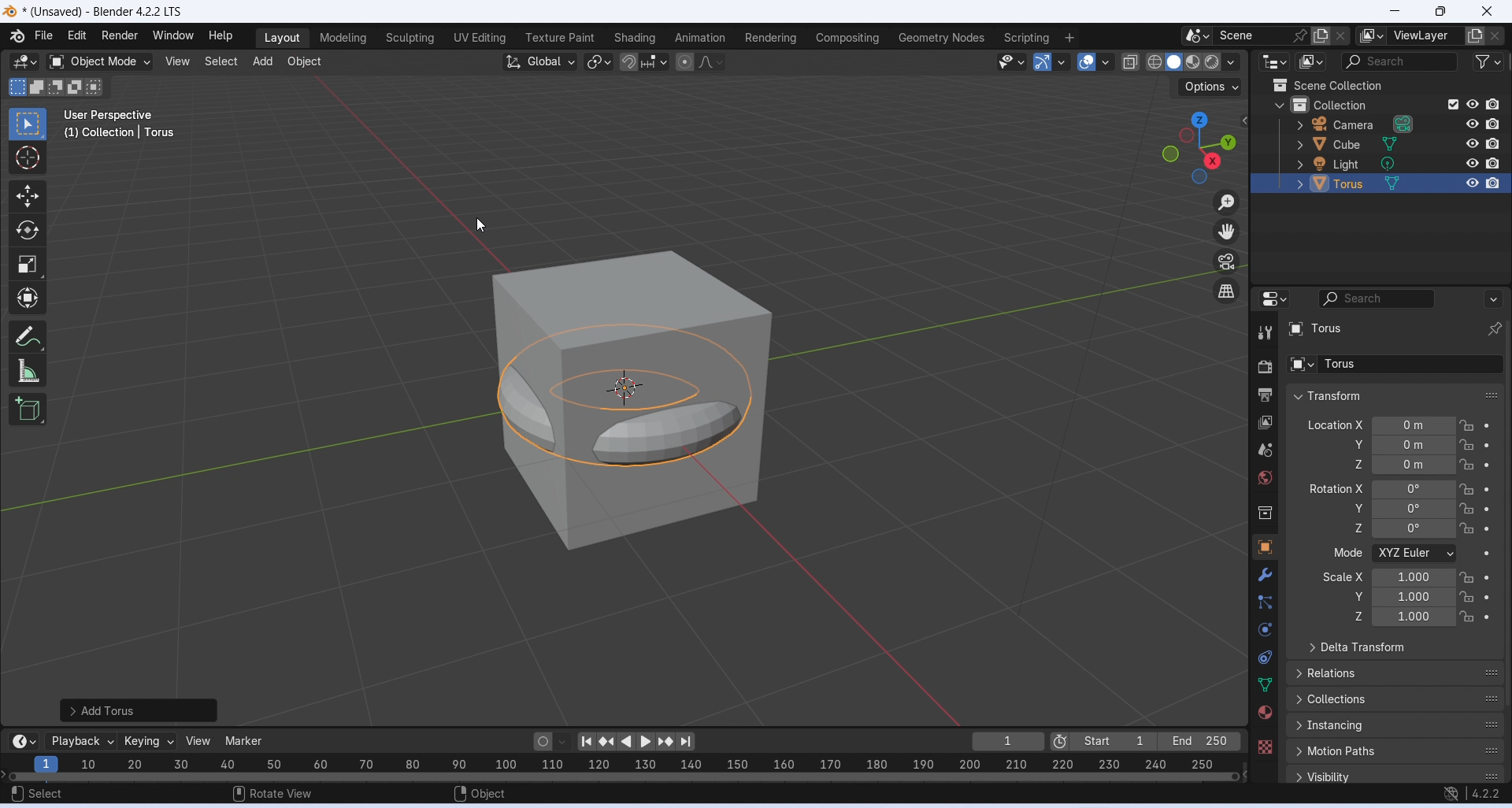  Describe the element at coordinates (1266, 602) in the screenshot. I see `Particles` at that location.